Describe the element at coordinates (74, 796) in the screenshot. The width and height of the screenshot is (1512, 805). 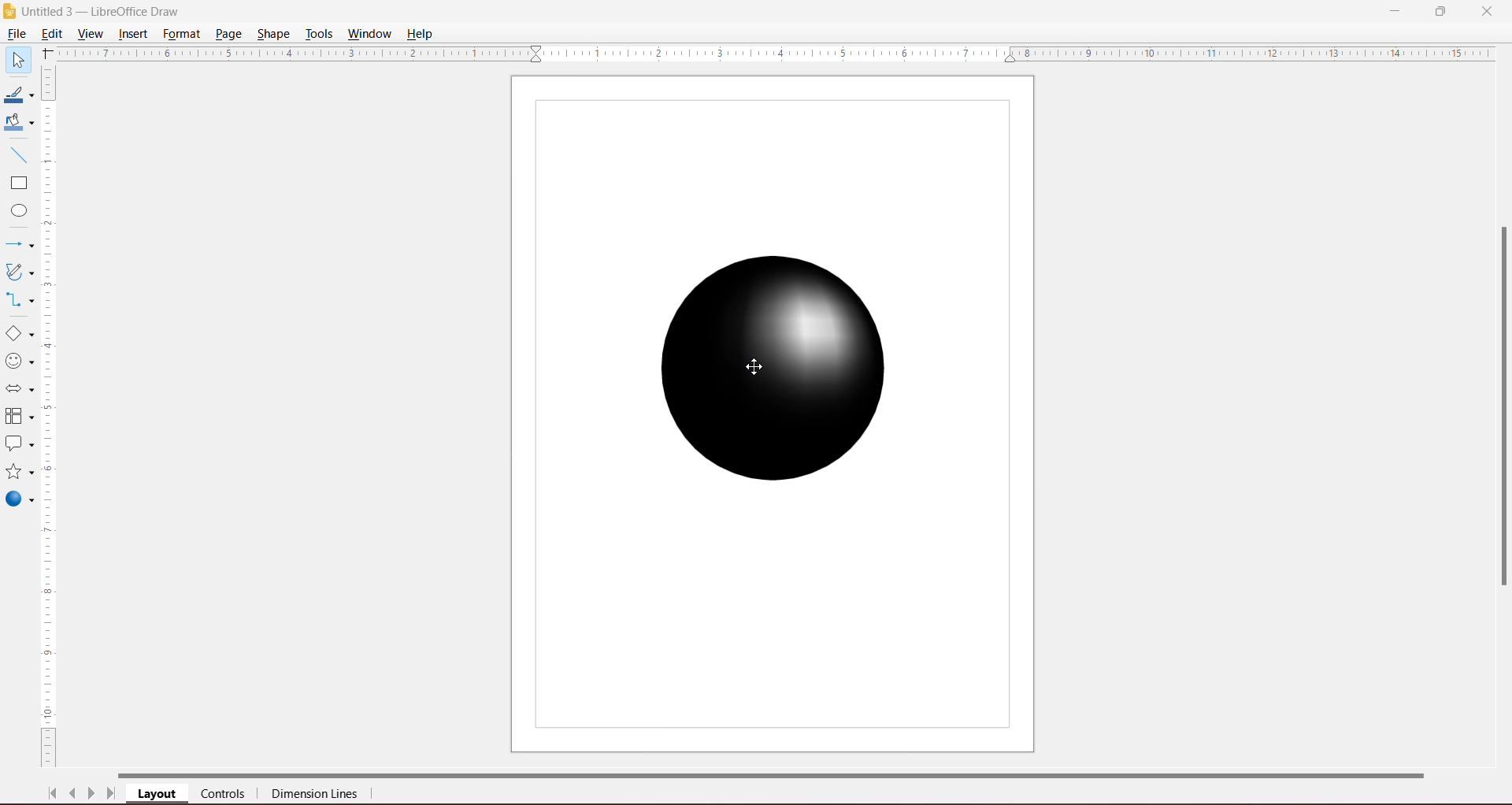
I see `Scroll to previous page` at that location.